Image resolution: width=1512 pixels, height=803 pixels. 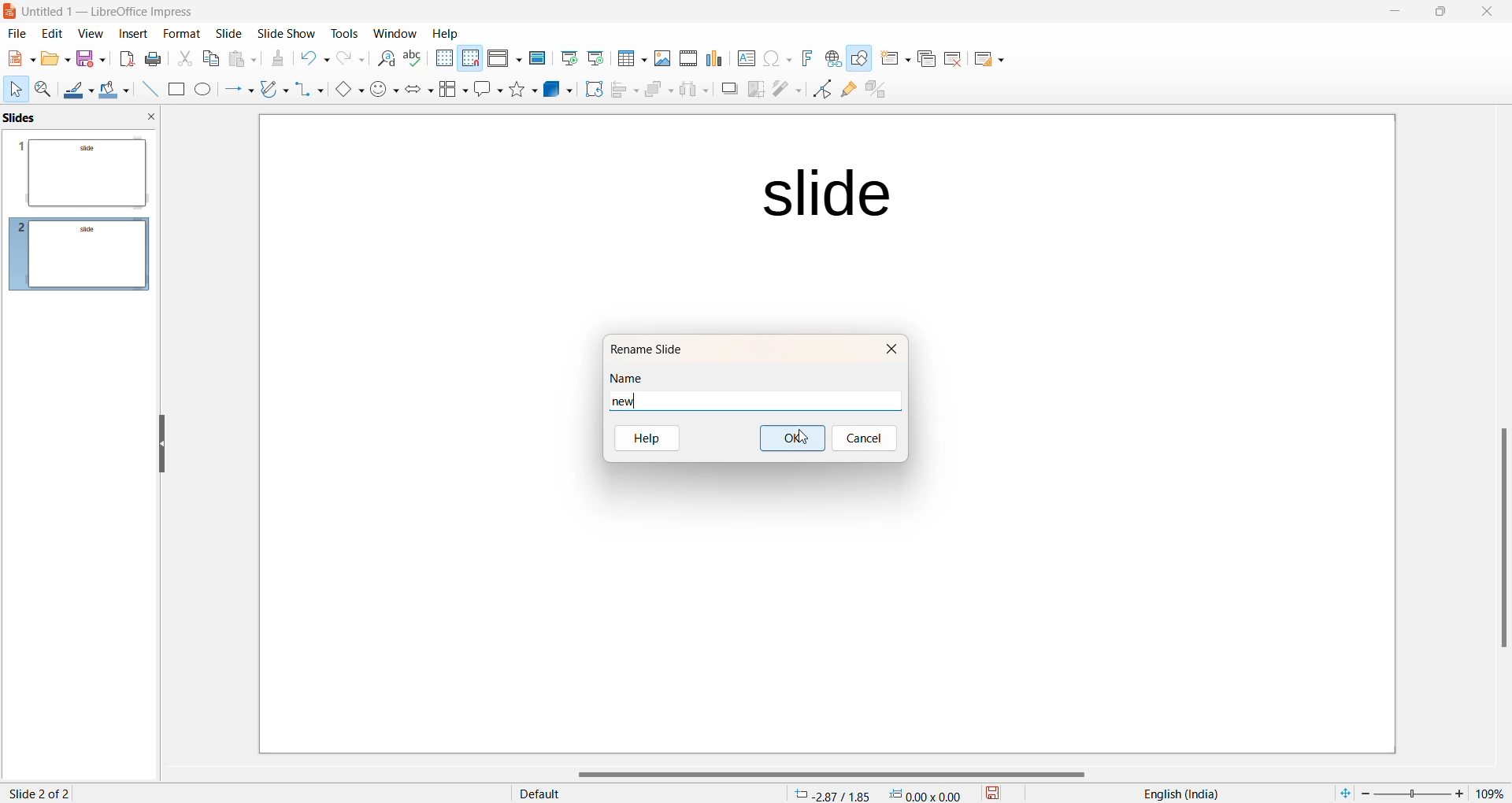 What do you see at coordinates (87, 35) in the screenshot?
I see `view` at bounding box center [87, 35].